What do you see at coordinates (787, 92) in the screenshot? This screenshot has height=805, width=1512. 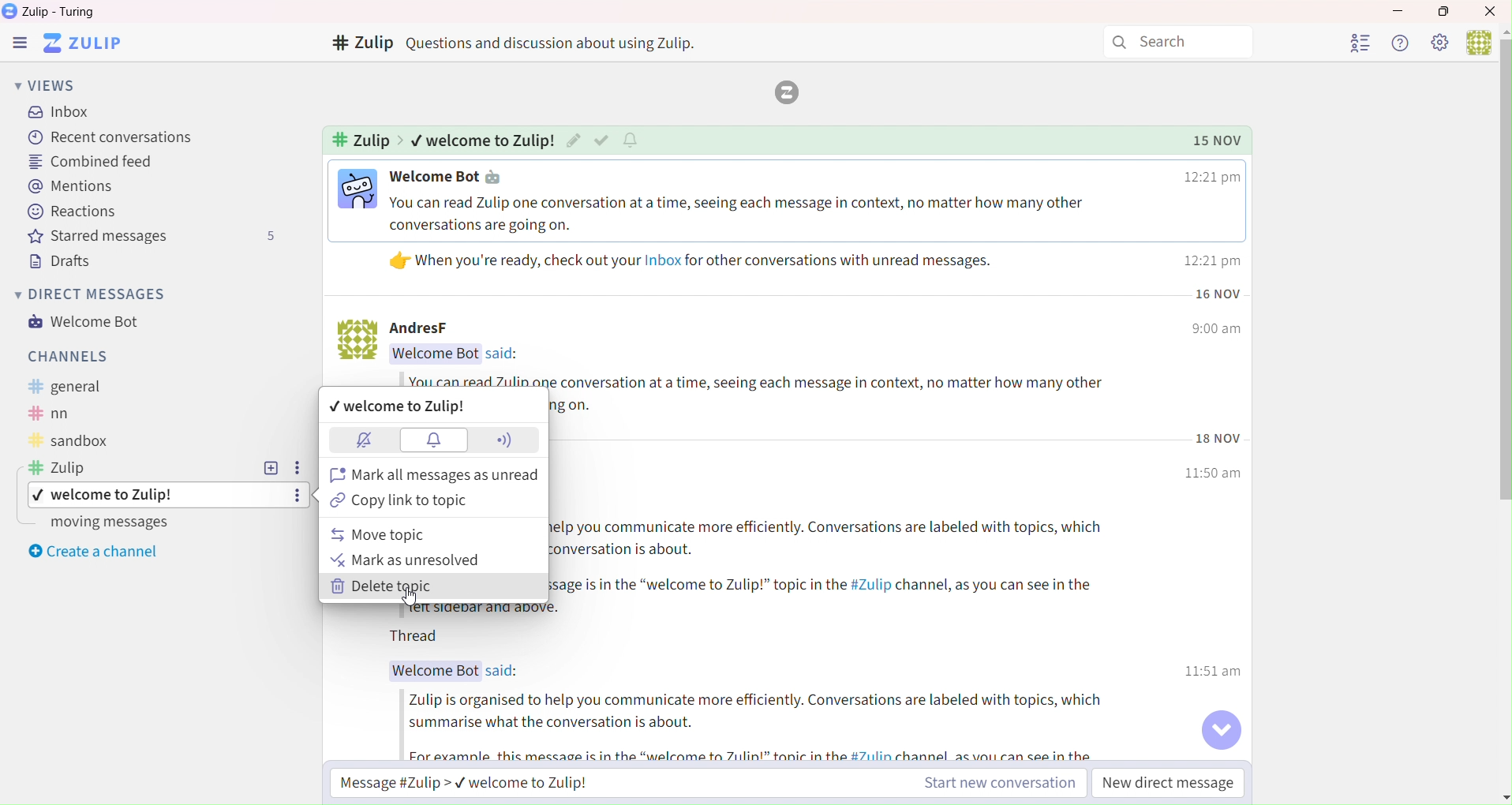 I see `zulip logo` at bounding box center [787, 92].